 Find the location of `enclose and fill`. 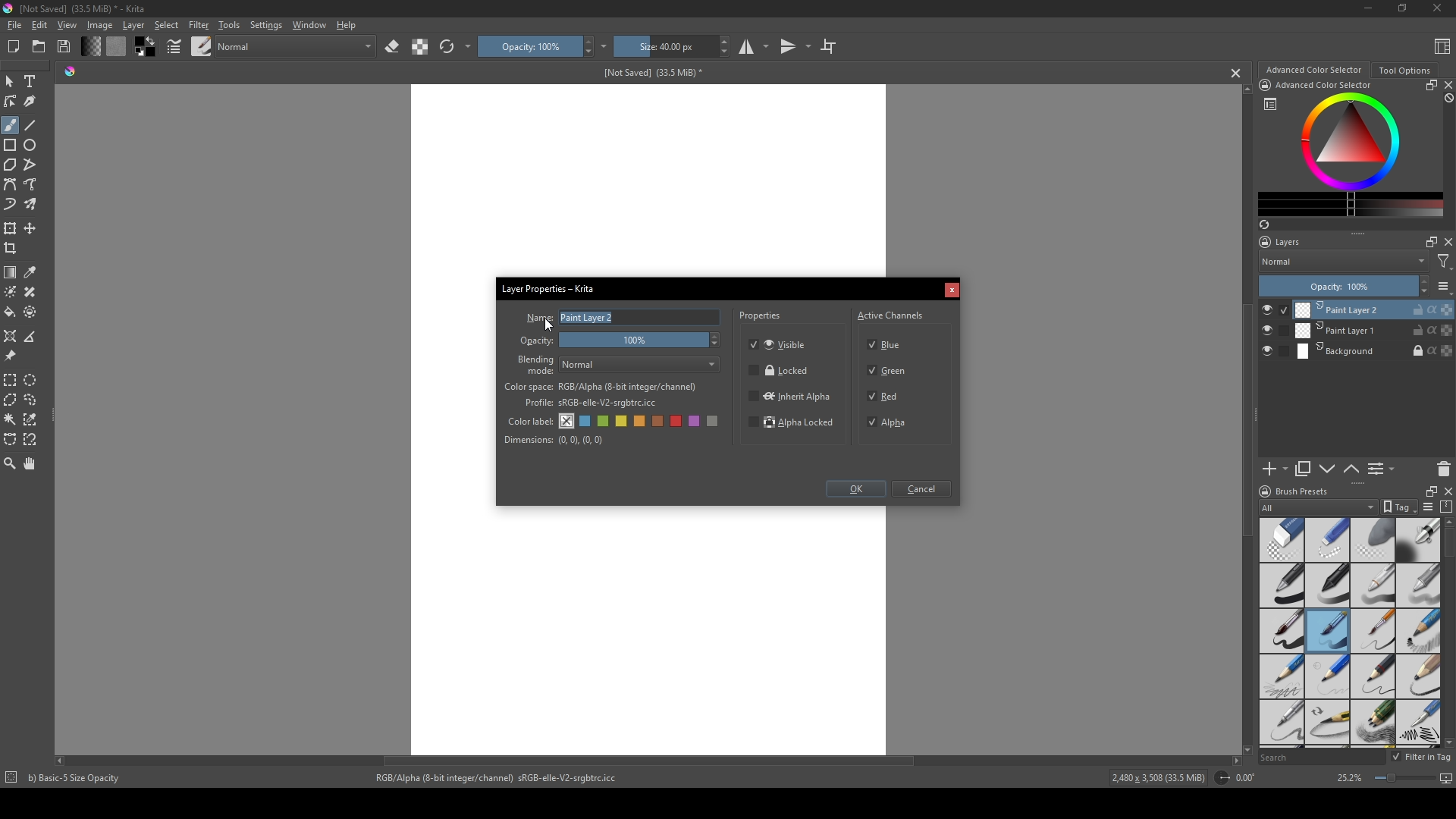

enclose and fill is located at coordinates (32, 312).